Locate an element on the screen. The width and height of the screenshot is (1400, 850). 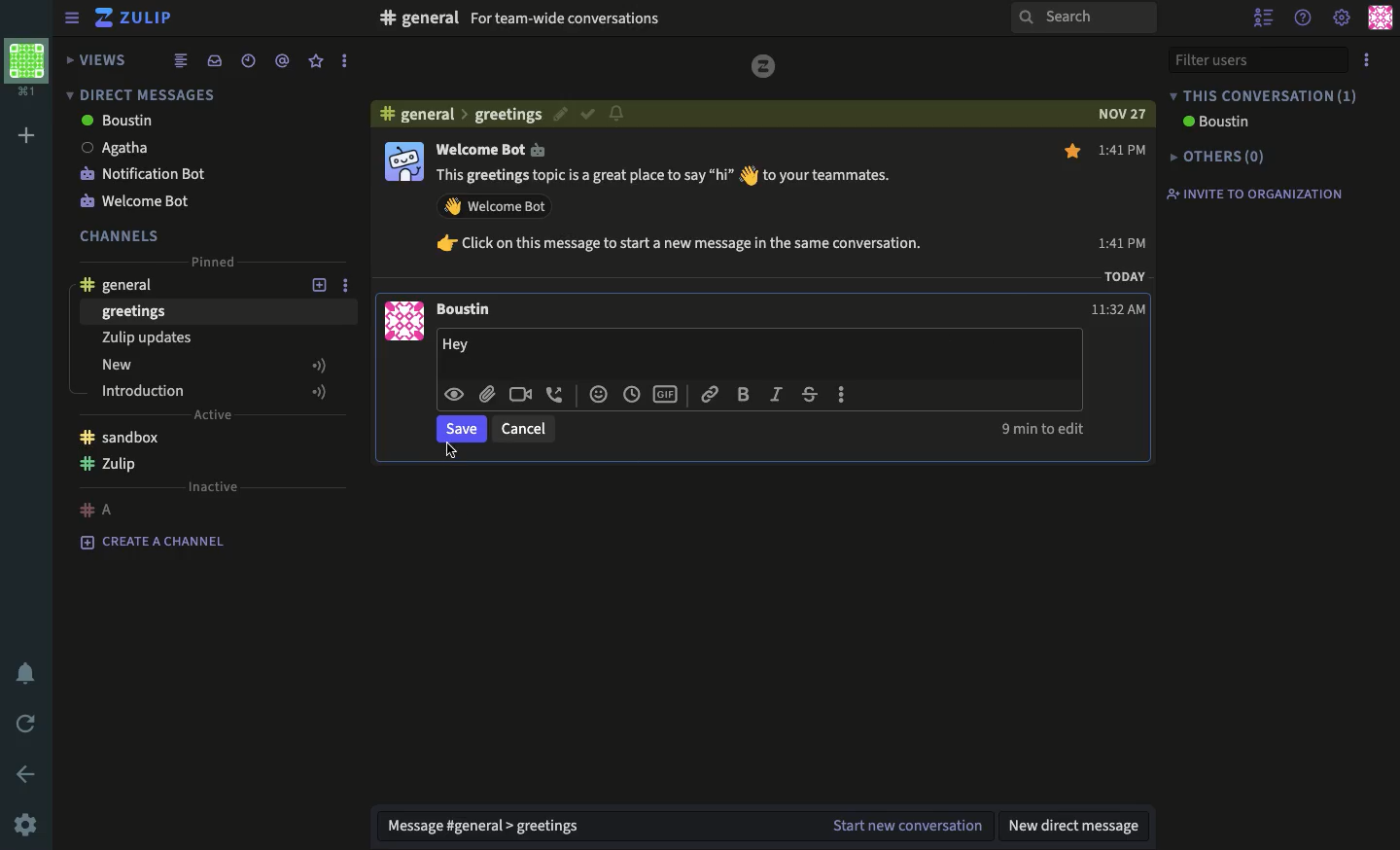
Boustin is located at coordinates (466, 311).